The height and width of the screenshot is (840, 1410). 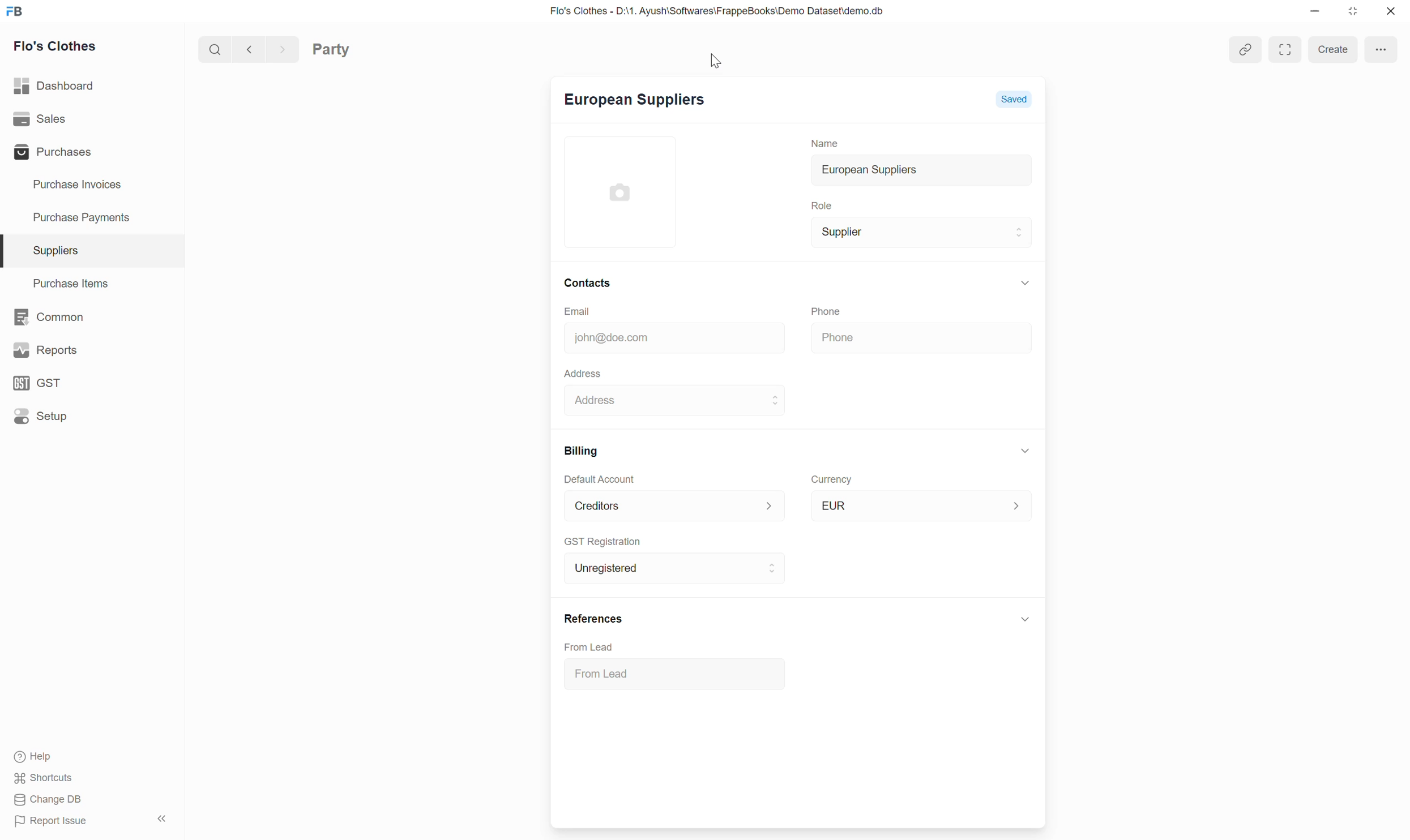 I want to click on create, so click(x=1330, y=49).